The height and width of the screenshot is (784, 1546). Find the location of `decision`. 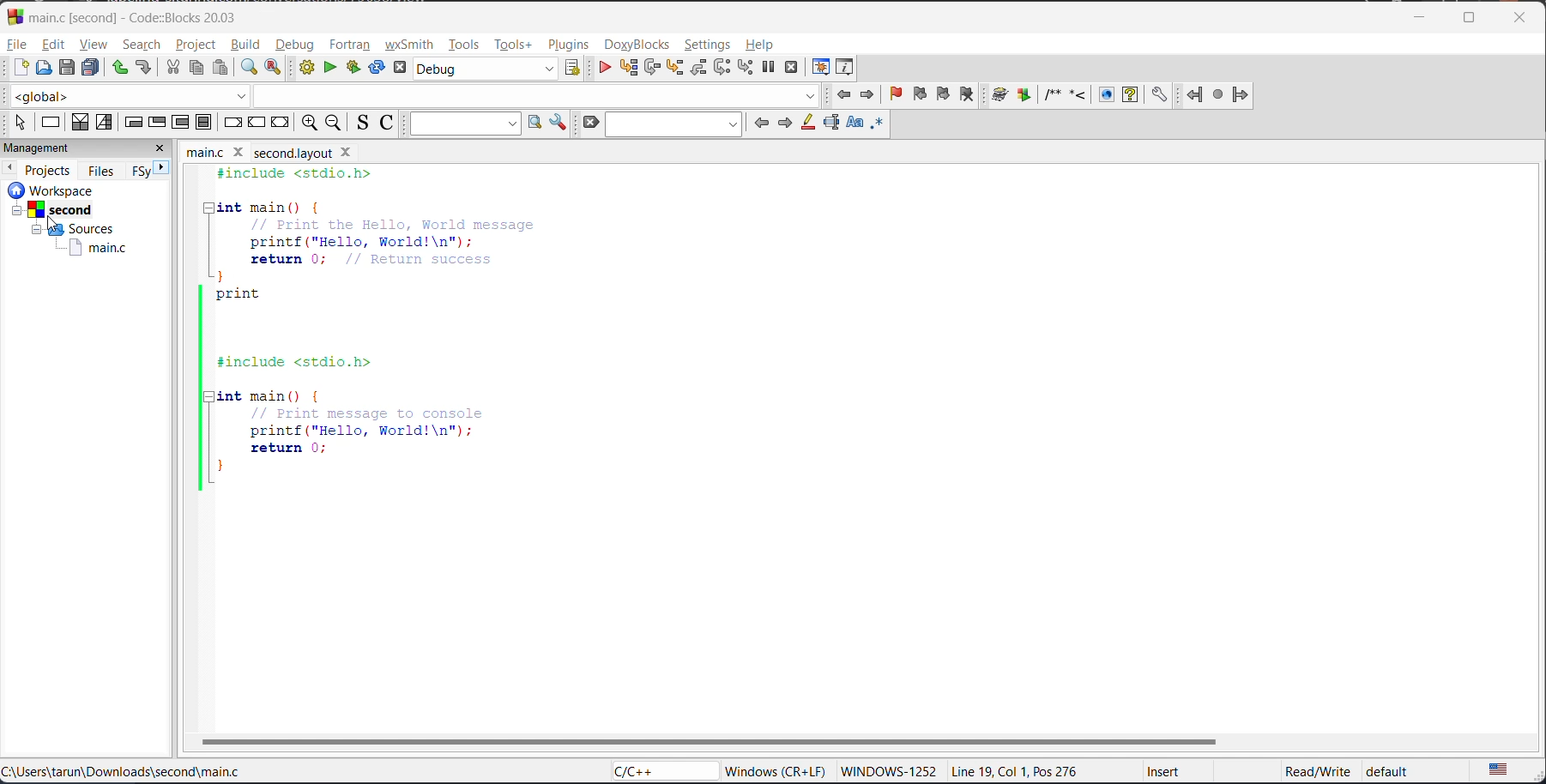

decision is located at coordinates (82, 122).